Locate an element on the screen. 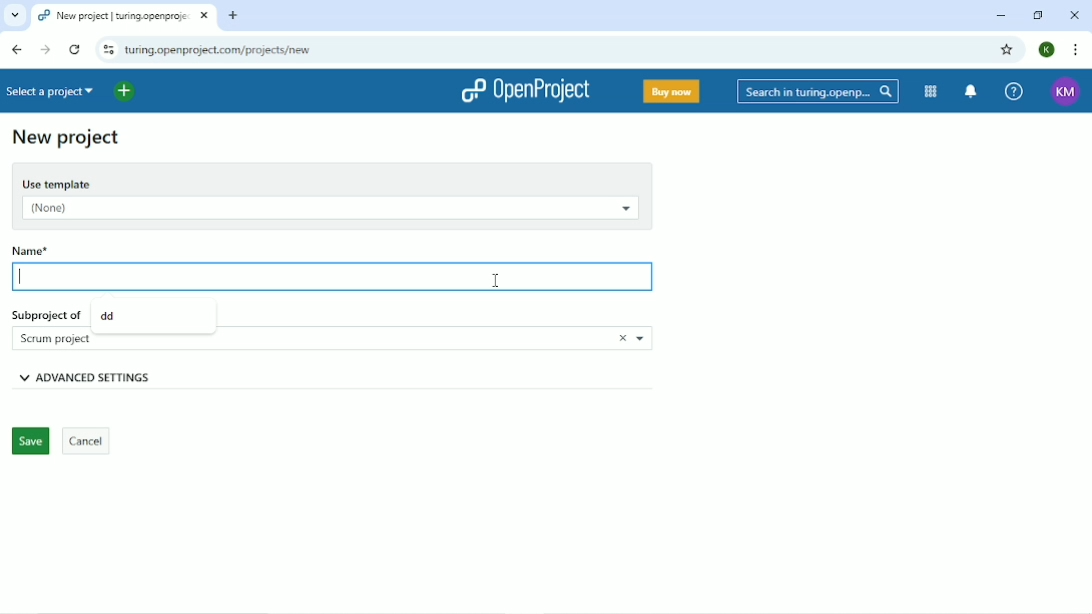 Image resolution: width=1092 pixels, height=614 pixels. Customize and control google chrome is located at coordinates (1076, 49).